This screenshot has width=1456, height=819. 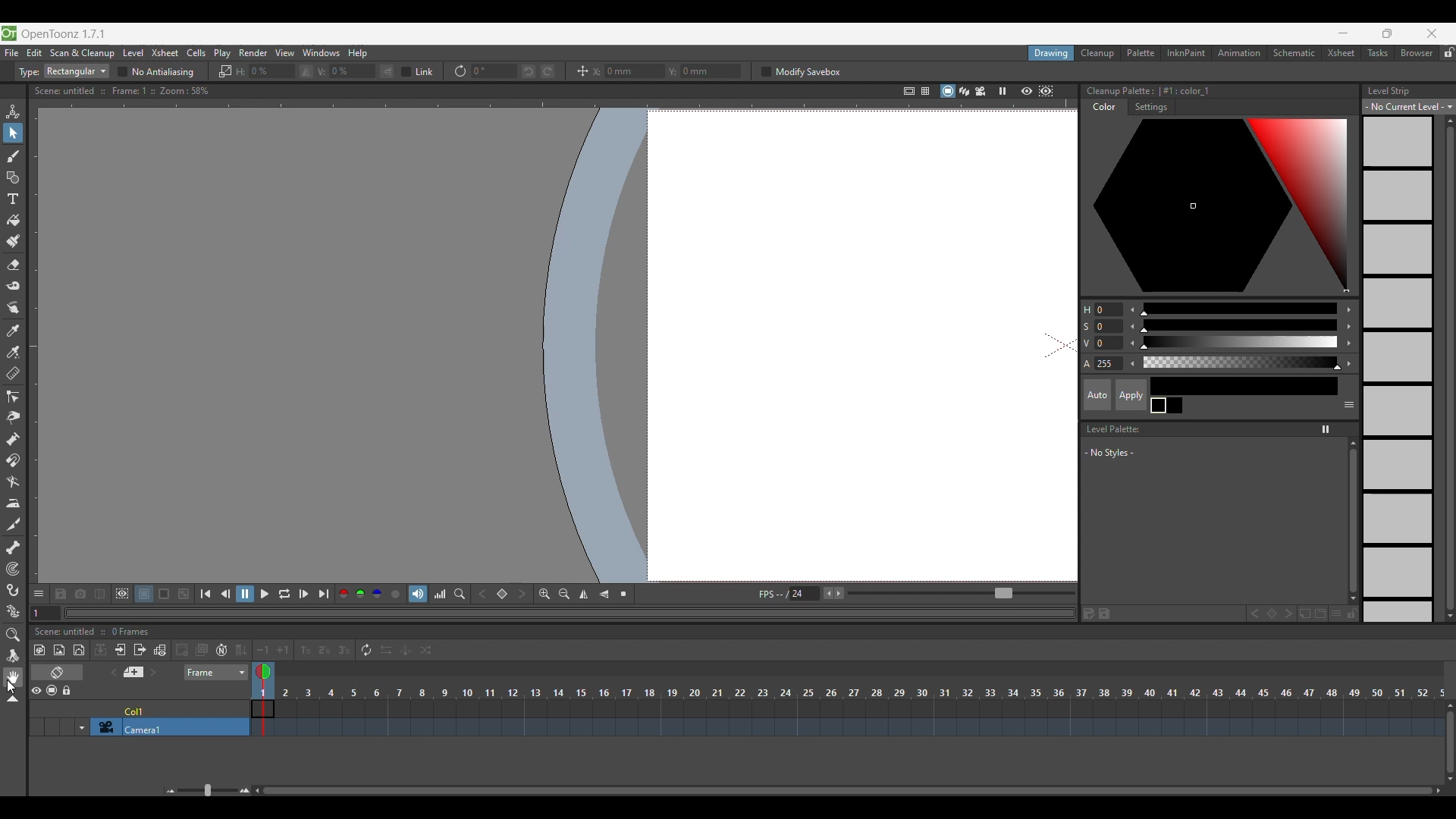 I want to click on Checkered background, so click(x=184, y=594).